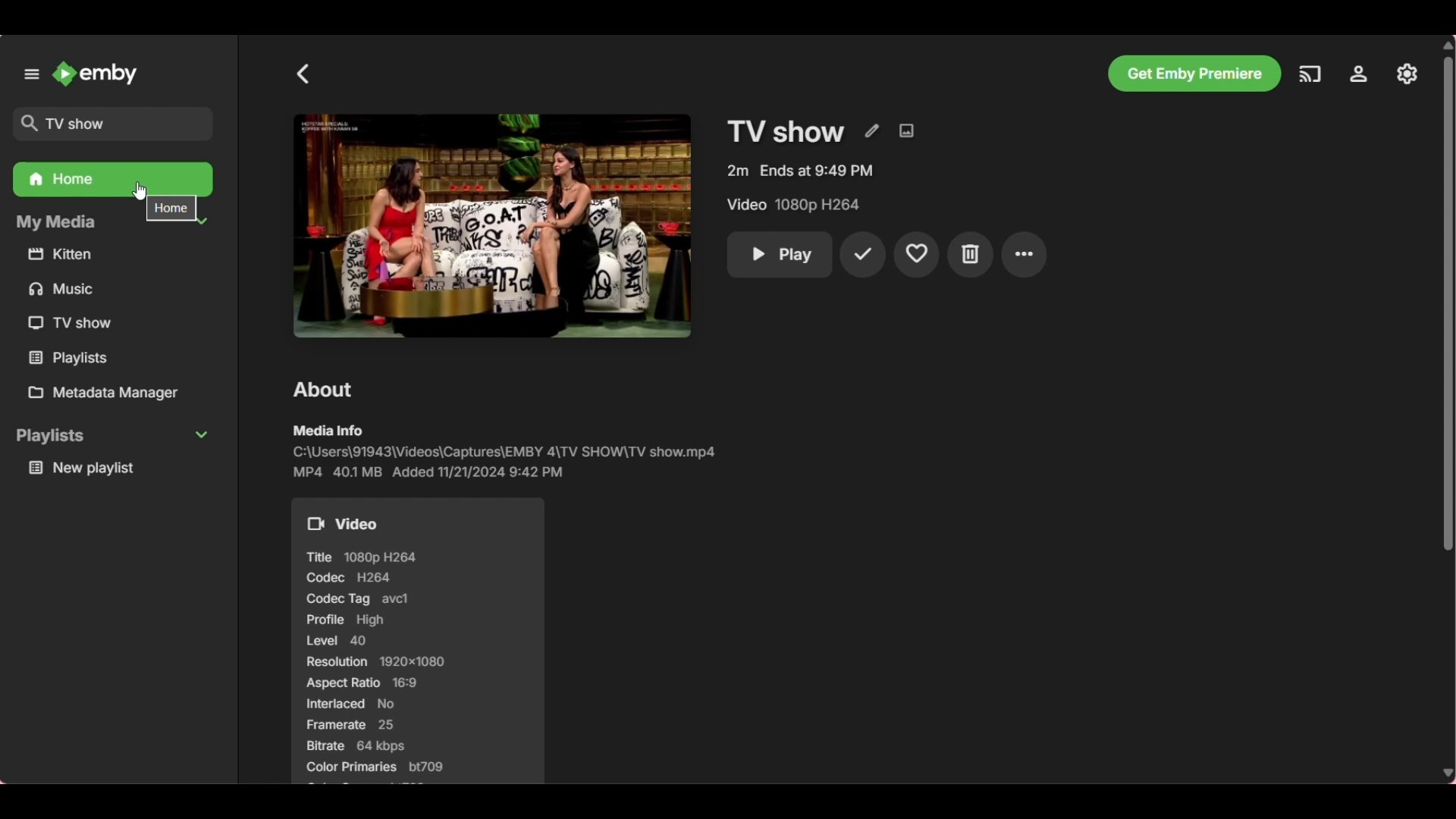 Image resolution: width=1456 pixels, height=819 pixels. What do you see at coordinates (140, 191) in the screenshot?
I see `Cursor ` at bounding box center [140, 191].